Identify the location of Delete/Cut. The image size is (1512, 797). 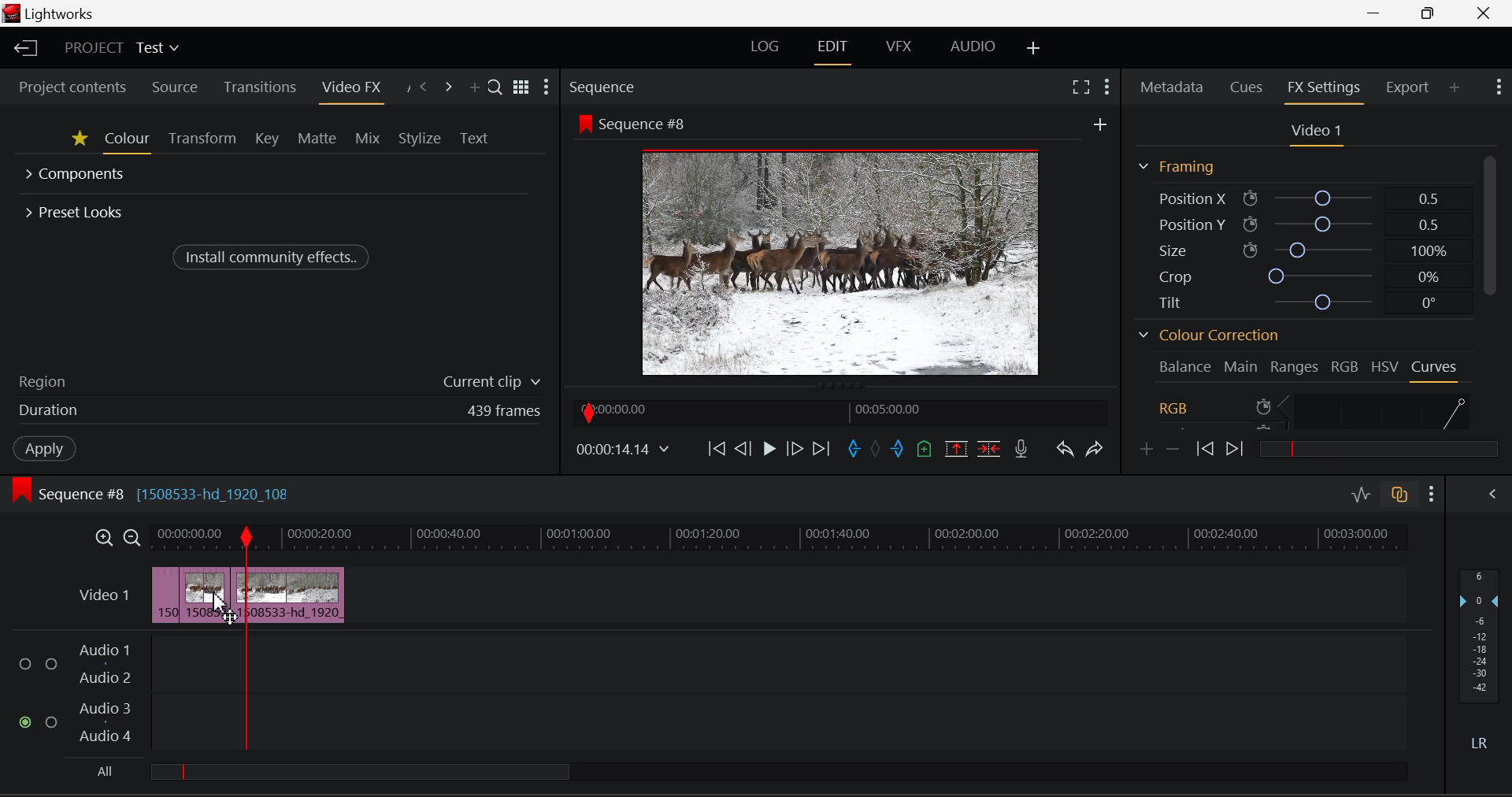
(989, 449).